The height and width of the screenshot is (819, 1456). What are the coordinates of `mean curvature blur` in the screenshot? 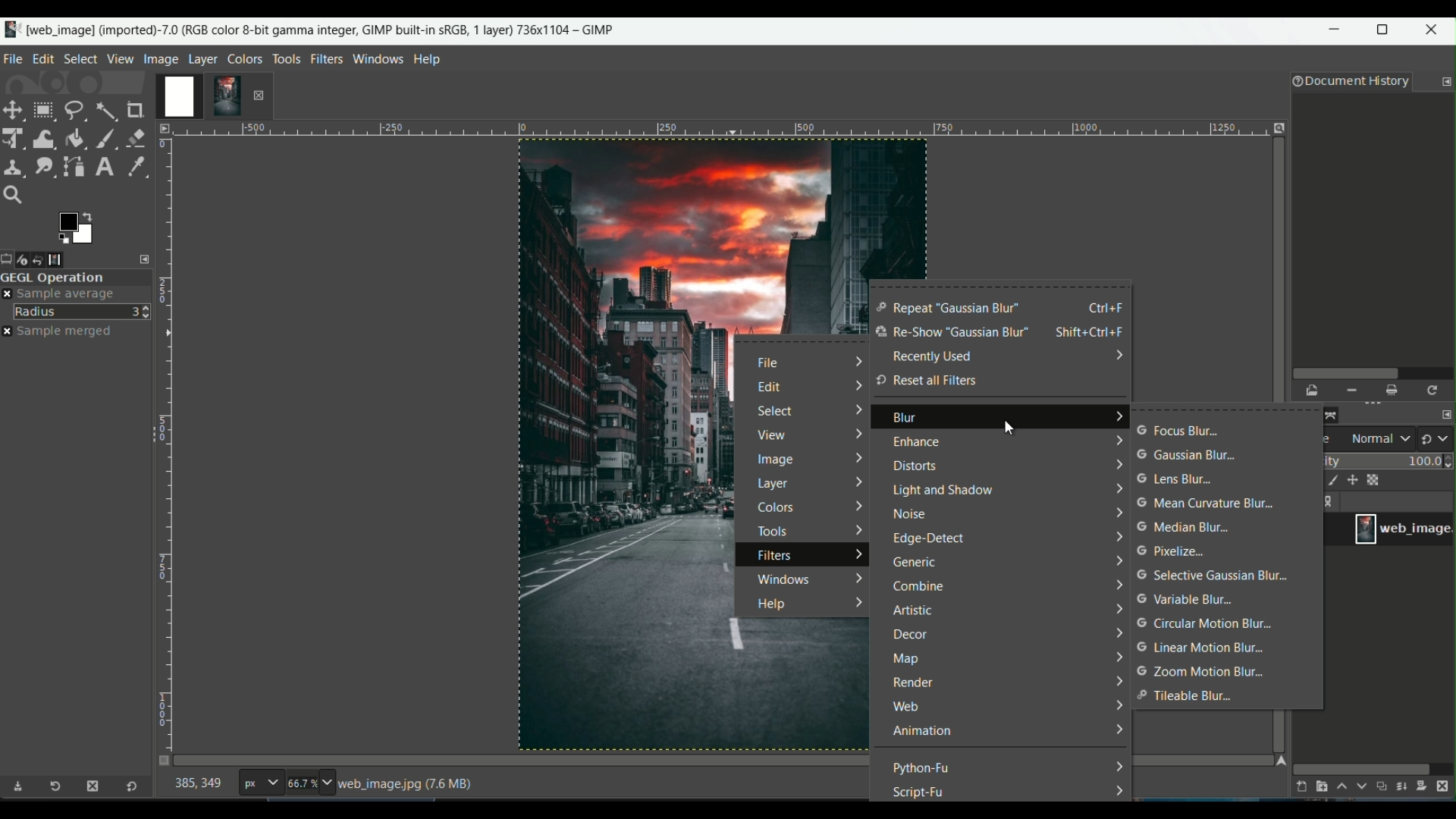 It's located at (1210, 504).